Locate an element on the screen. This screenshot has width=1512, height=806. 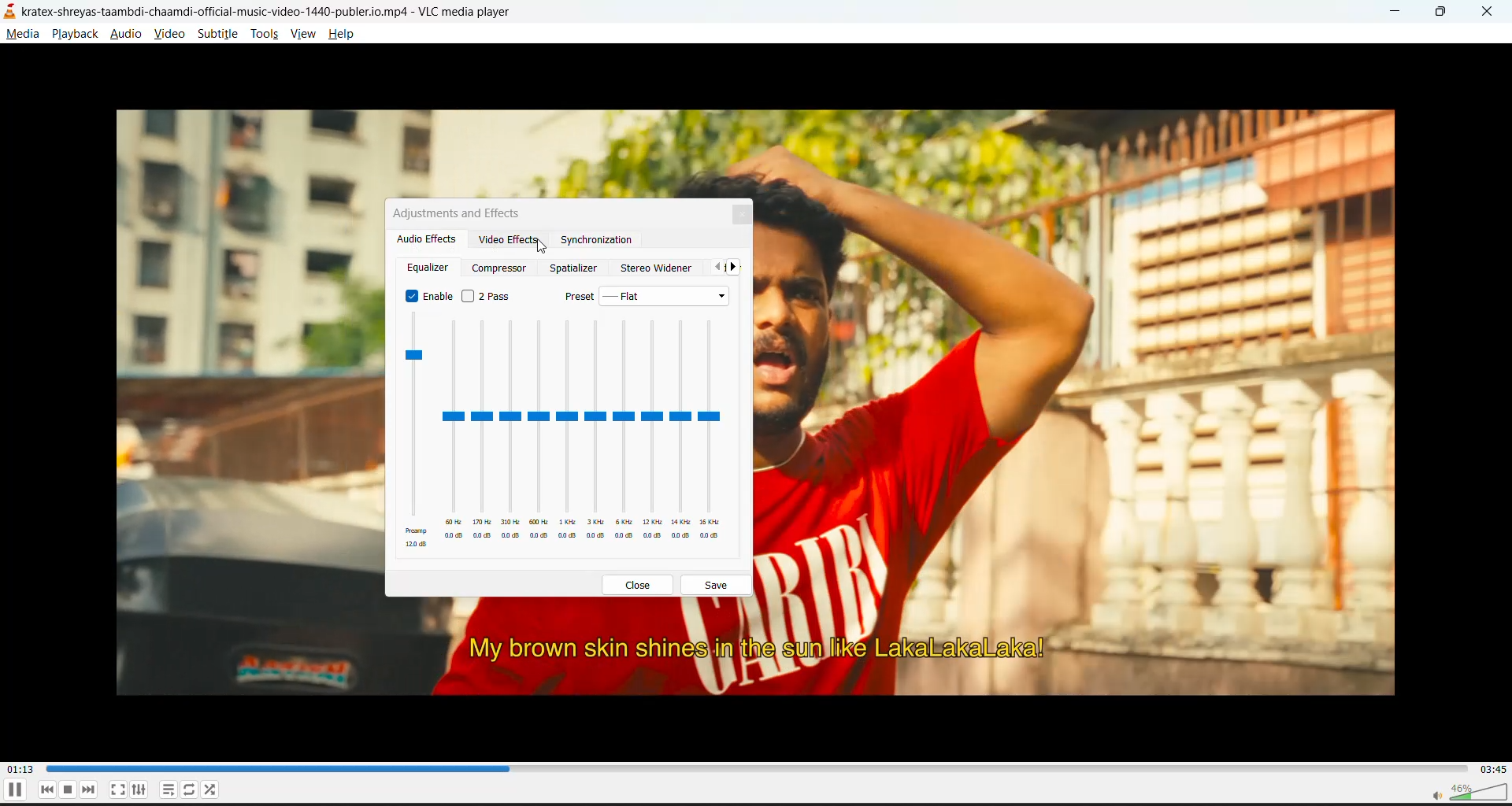
equalizer presets is located at coordinates (417, 434).